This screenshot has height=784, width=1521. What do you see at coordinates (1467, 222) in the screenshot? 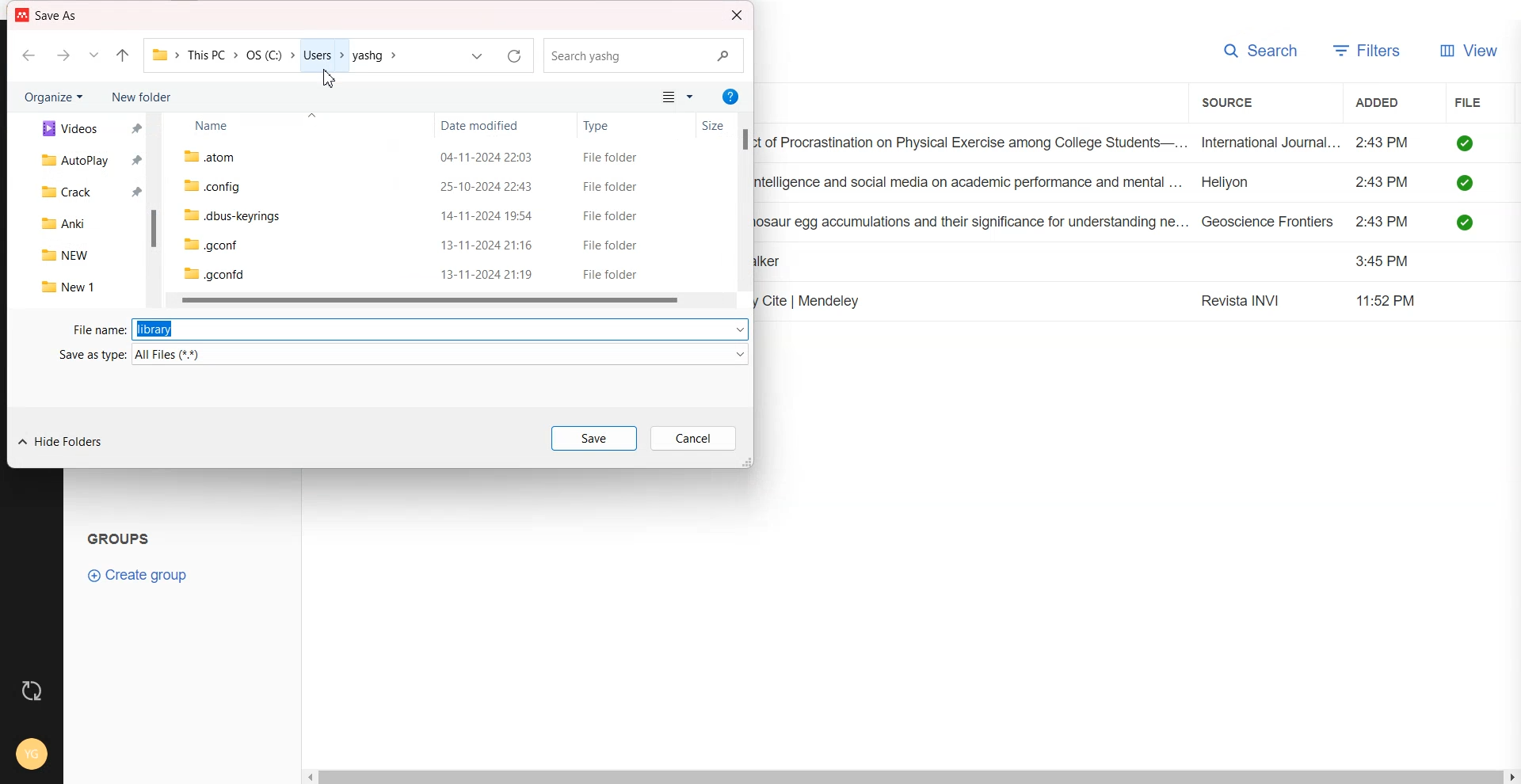
I see `saved` at bounding box center [1467, 222].